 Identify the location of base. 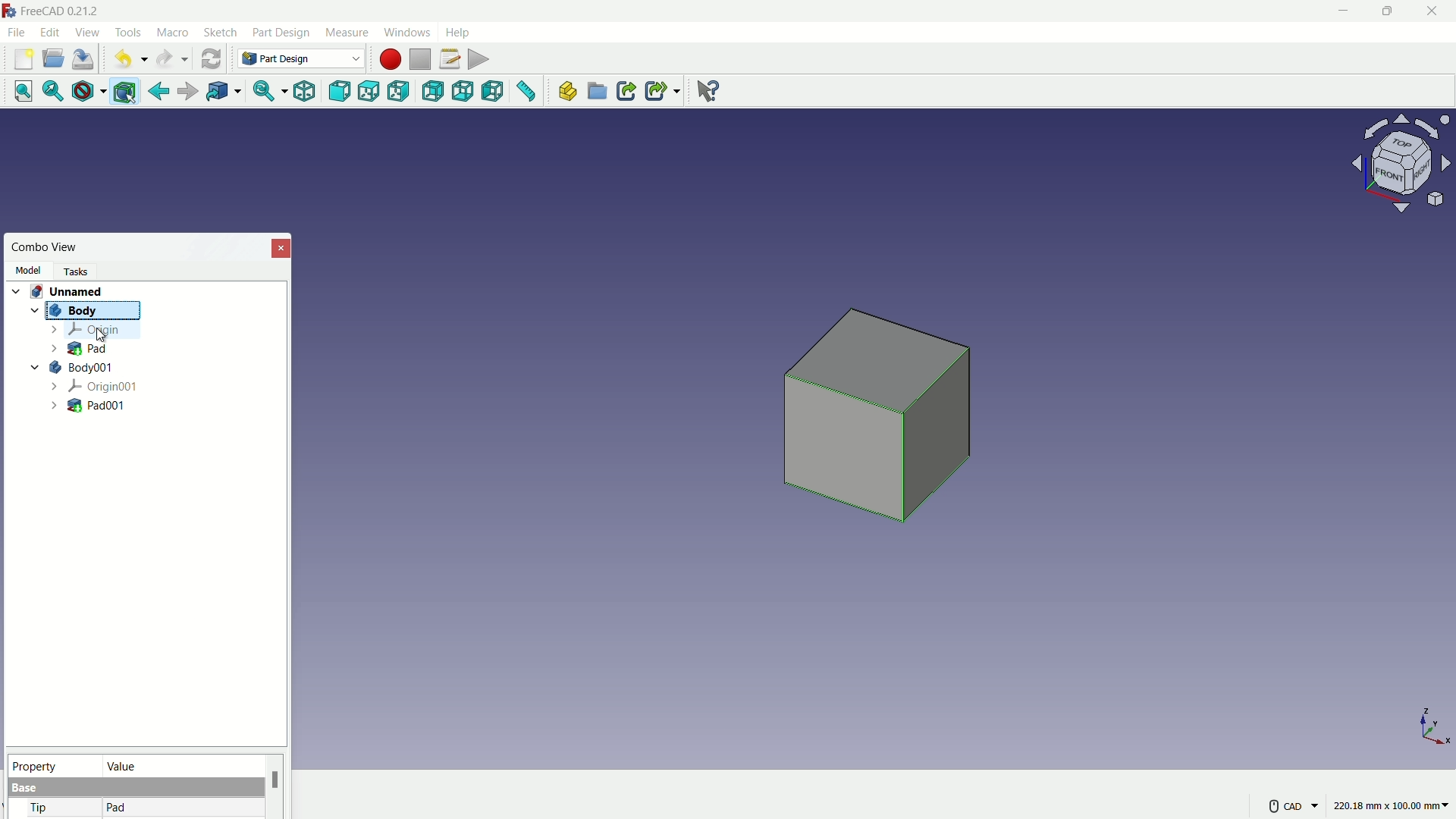
(26, 789).